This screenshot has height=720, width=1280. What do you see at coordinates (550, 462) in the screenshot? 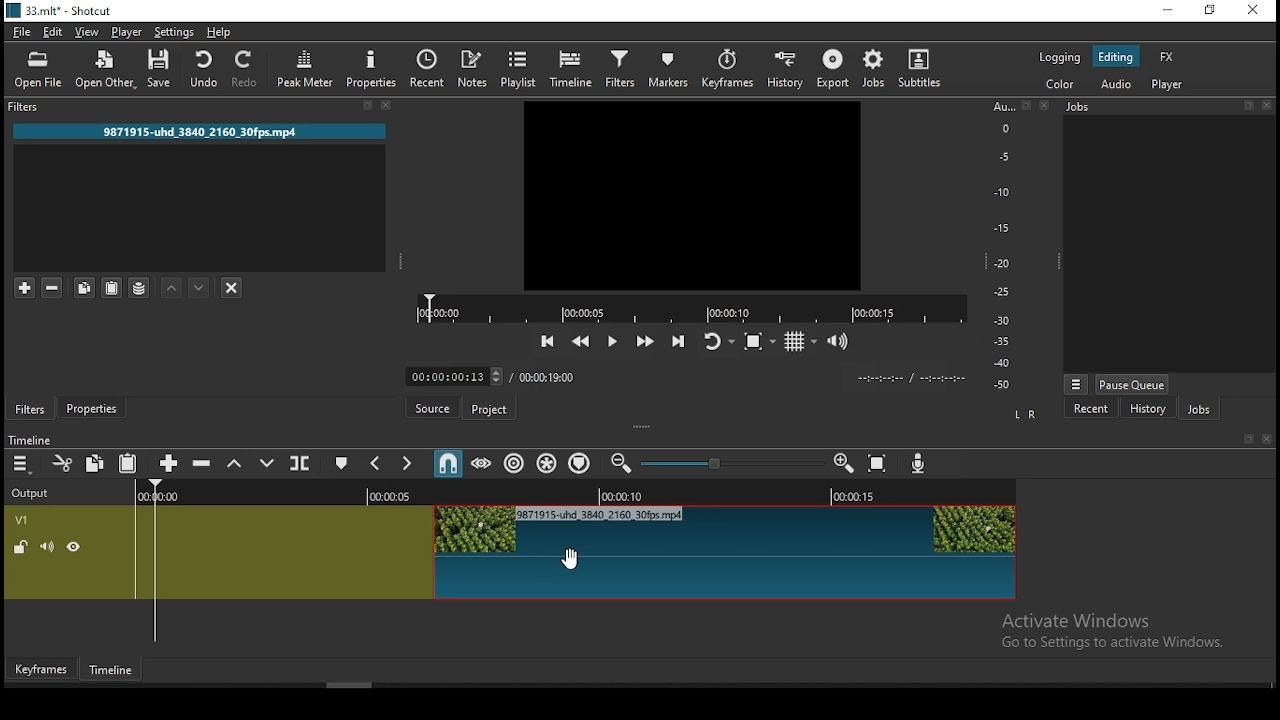
I see `ripple all tracks` at bounding box center [550, 462].